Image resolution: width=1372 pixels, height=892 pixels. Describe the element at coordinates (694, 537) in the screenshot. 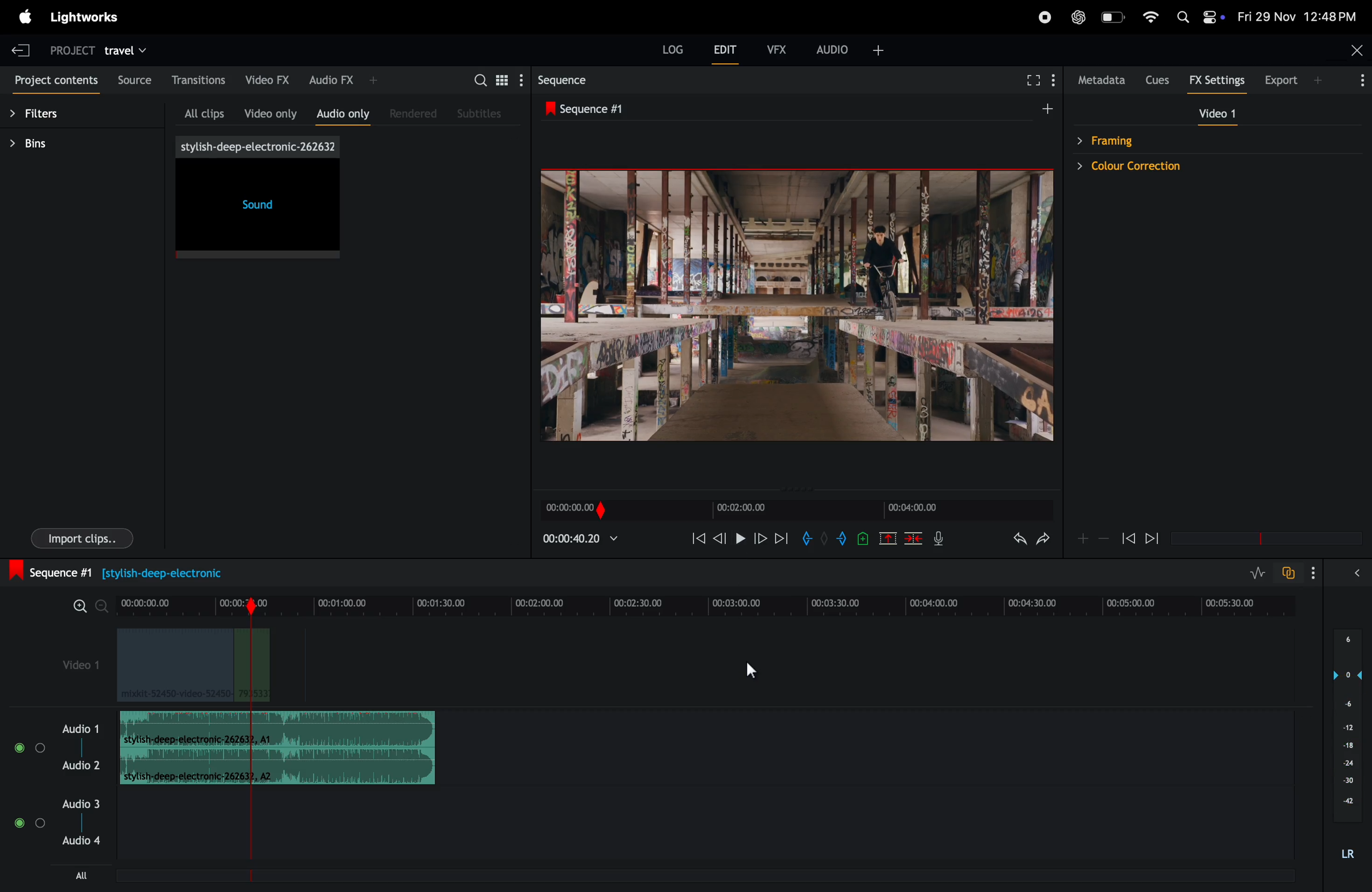

I see `previous frame` at that location.